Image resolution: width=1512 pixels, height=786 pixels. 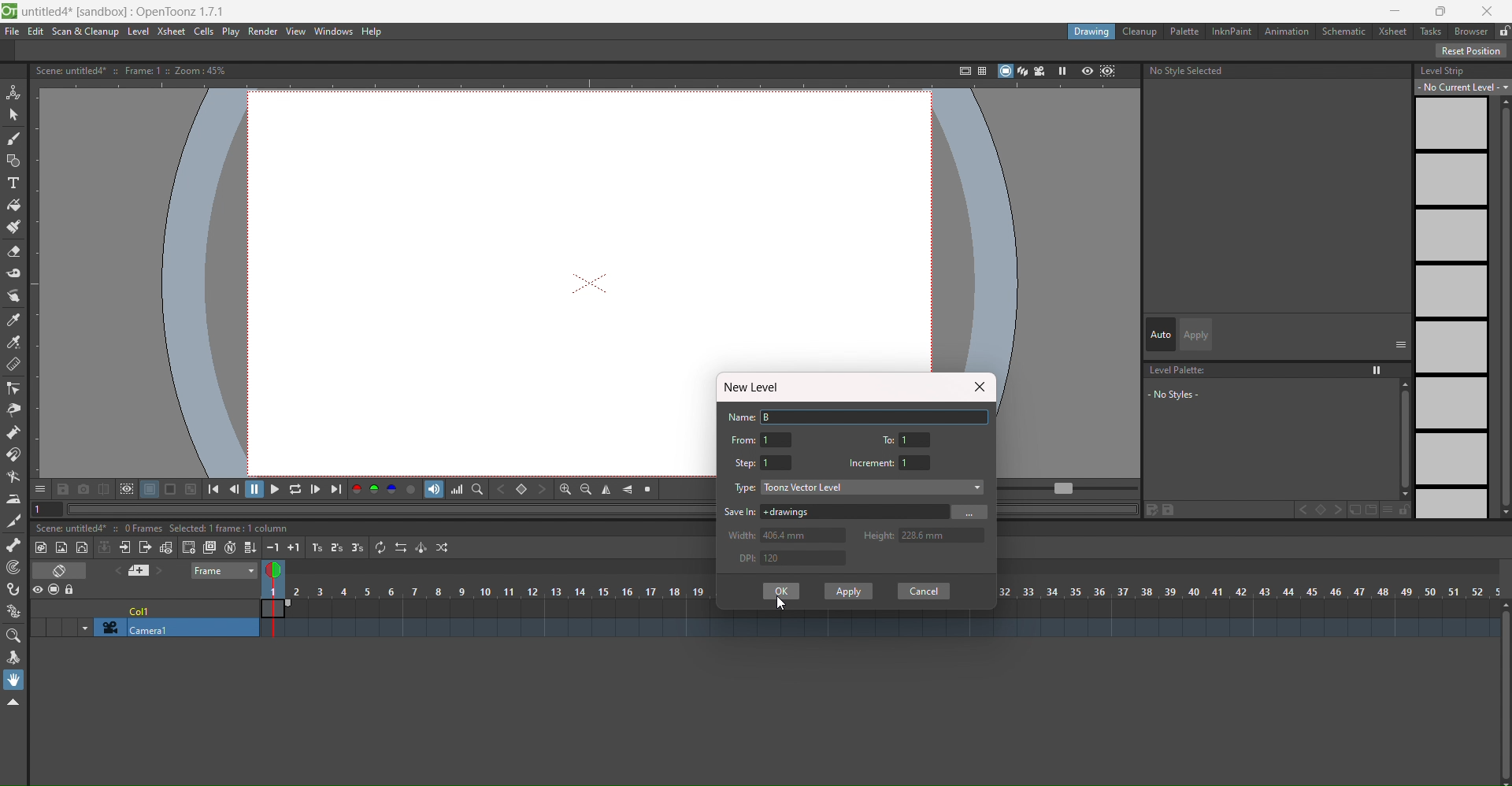 I want to click on file name app name and version, so click(x=125, y=12).